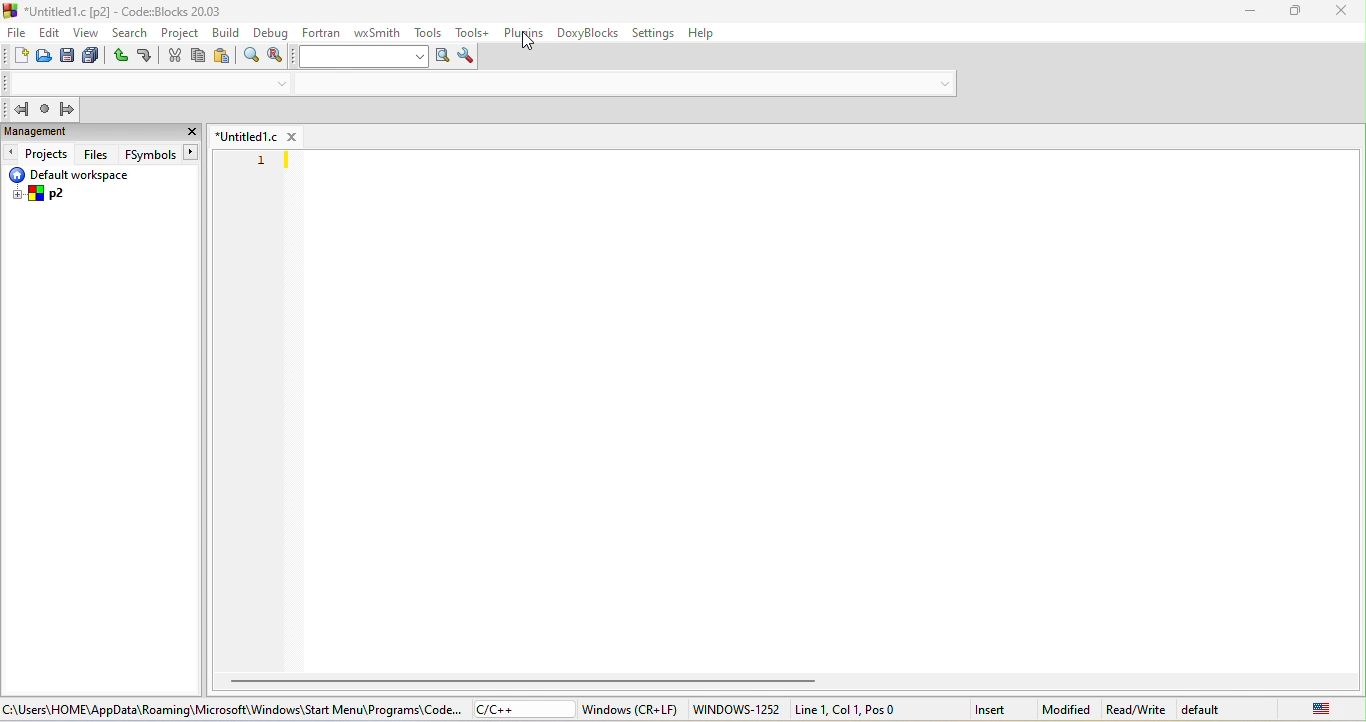 This screenshot has width=1366, height=722. I want to click on open, so click(45, 57).